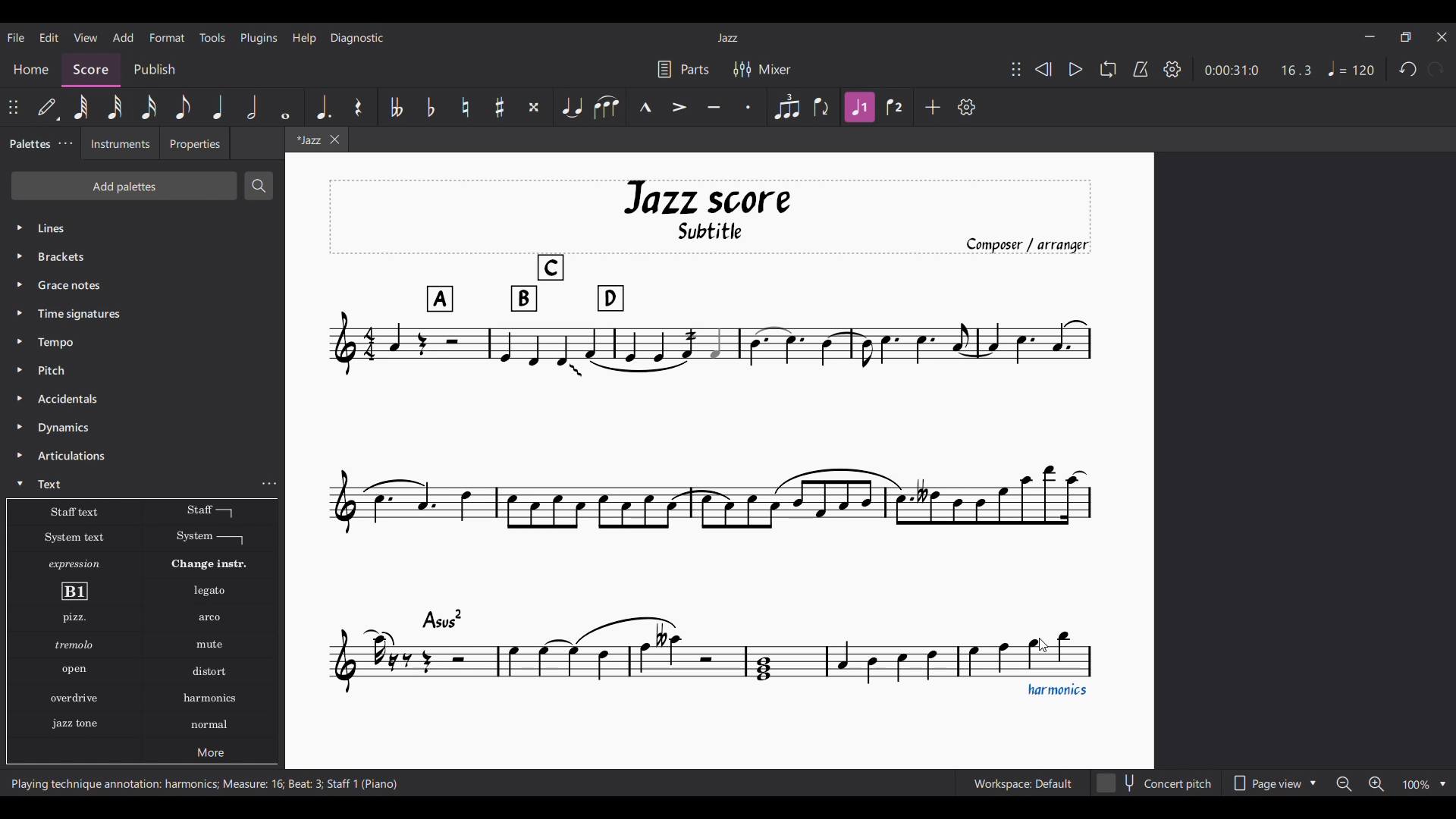 Image resolution: width=1456 pixels, height=819 pixels. Describe the element at coordinates (1391, 783) in the screenshot. I see `Zoom options` at that location.